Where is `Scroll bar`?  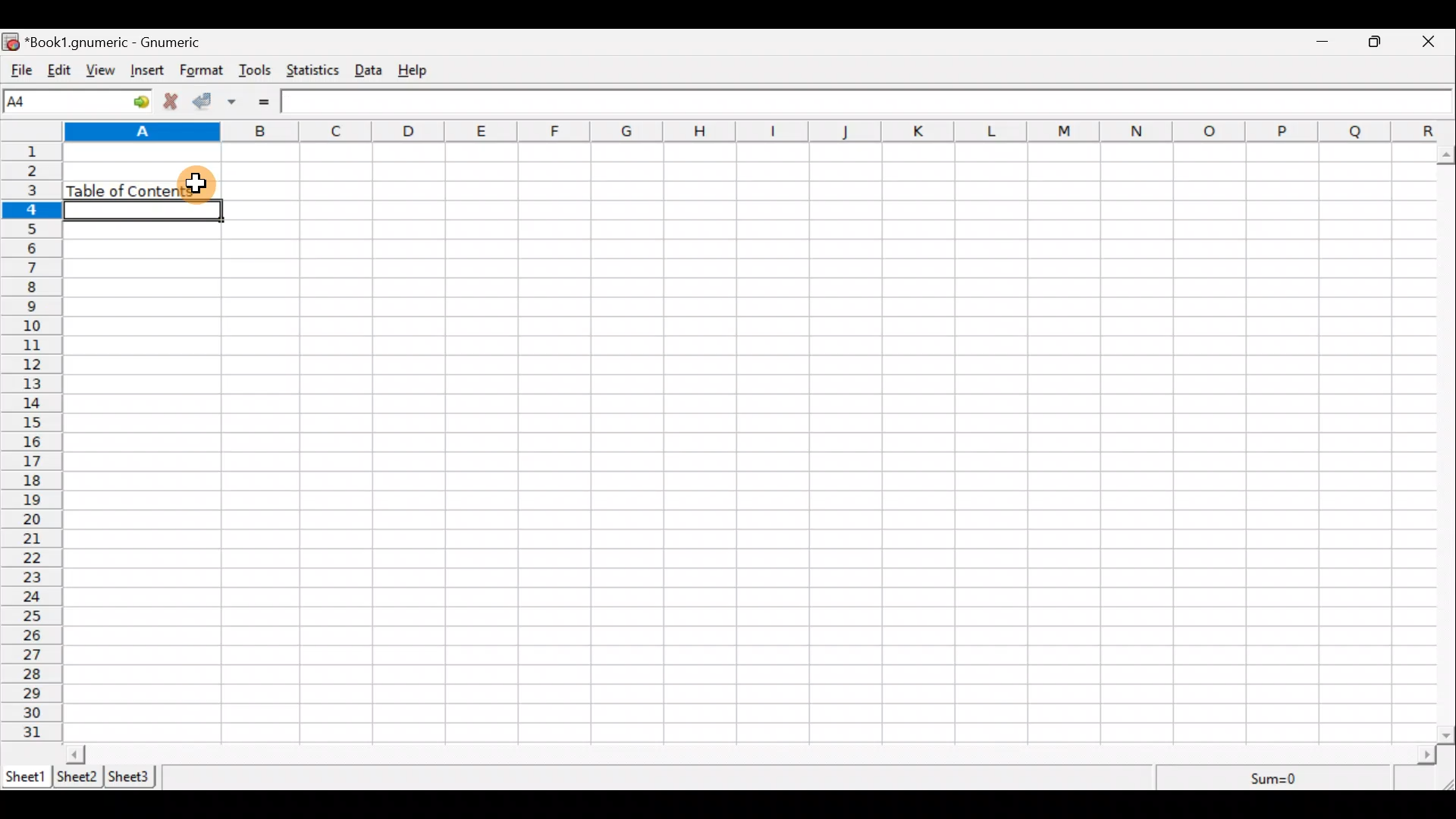 Scroll bar is located at coordinates (752, 754).